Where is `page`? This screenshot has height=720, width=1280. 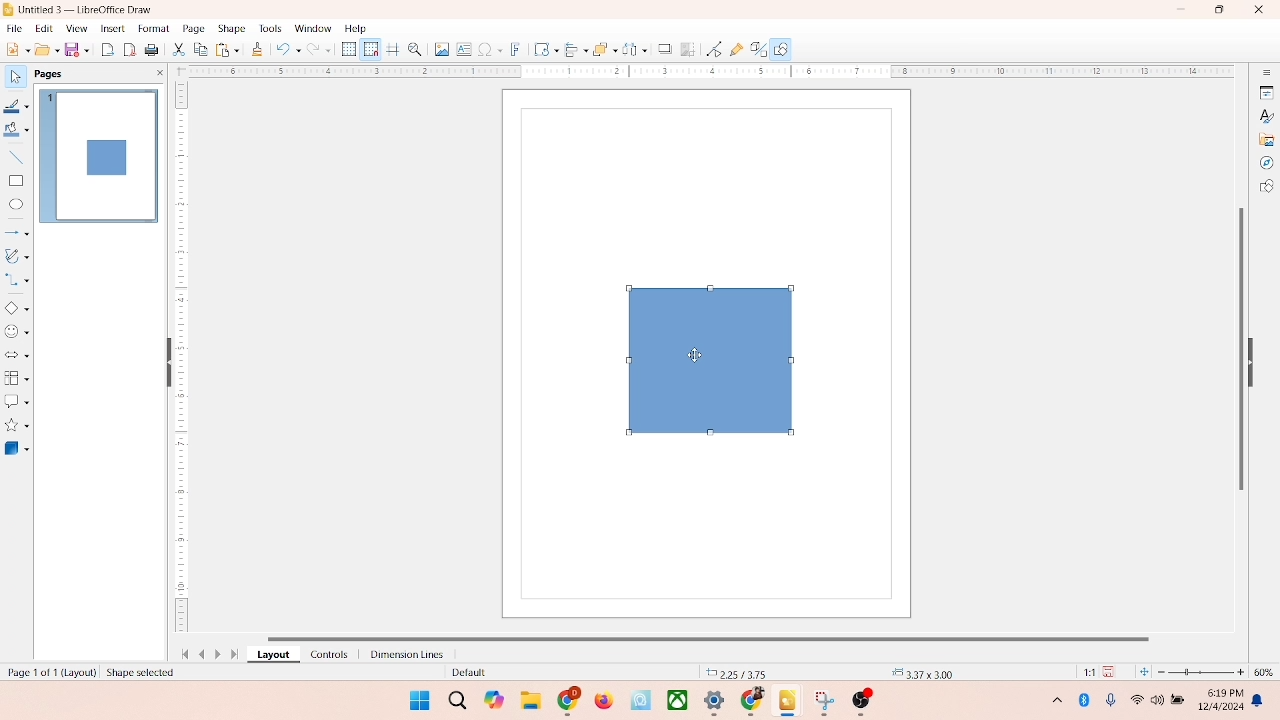
page is located at coordinates (191, 29).